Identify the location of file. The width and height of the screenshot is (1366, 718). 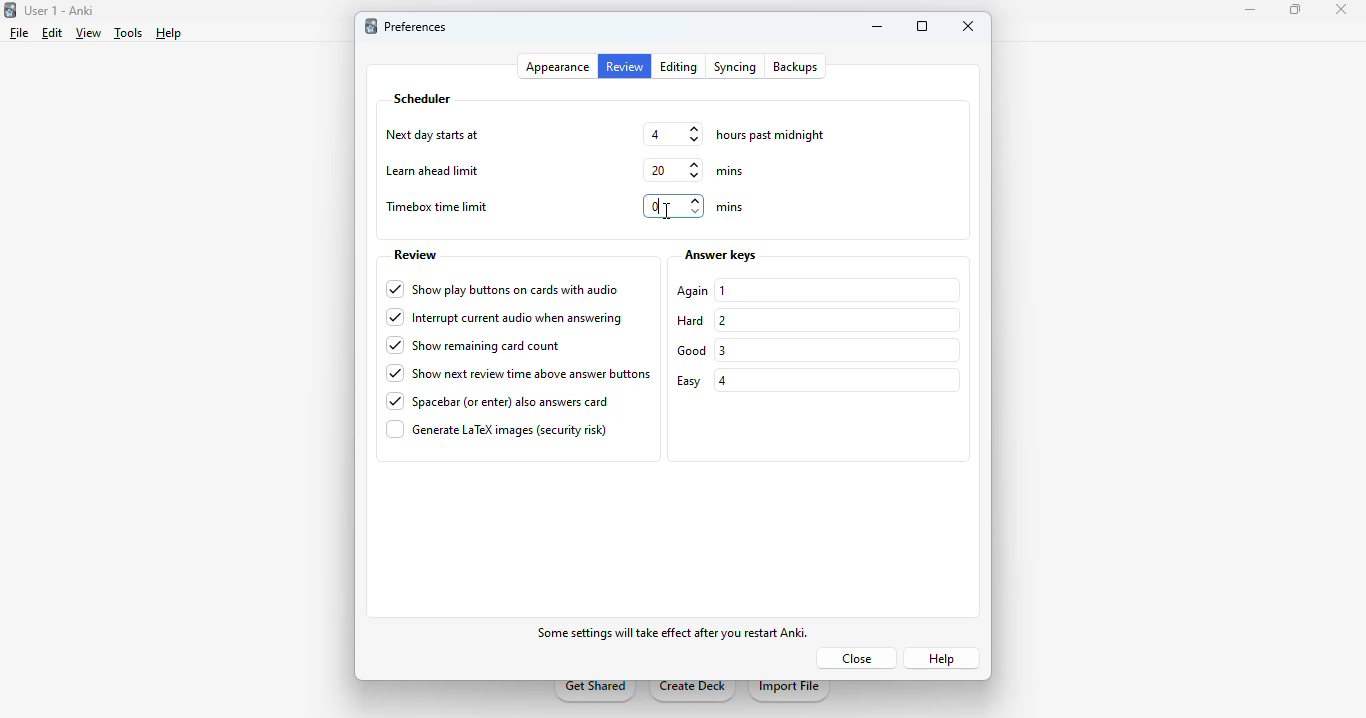
(20, 33).